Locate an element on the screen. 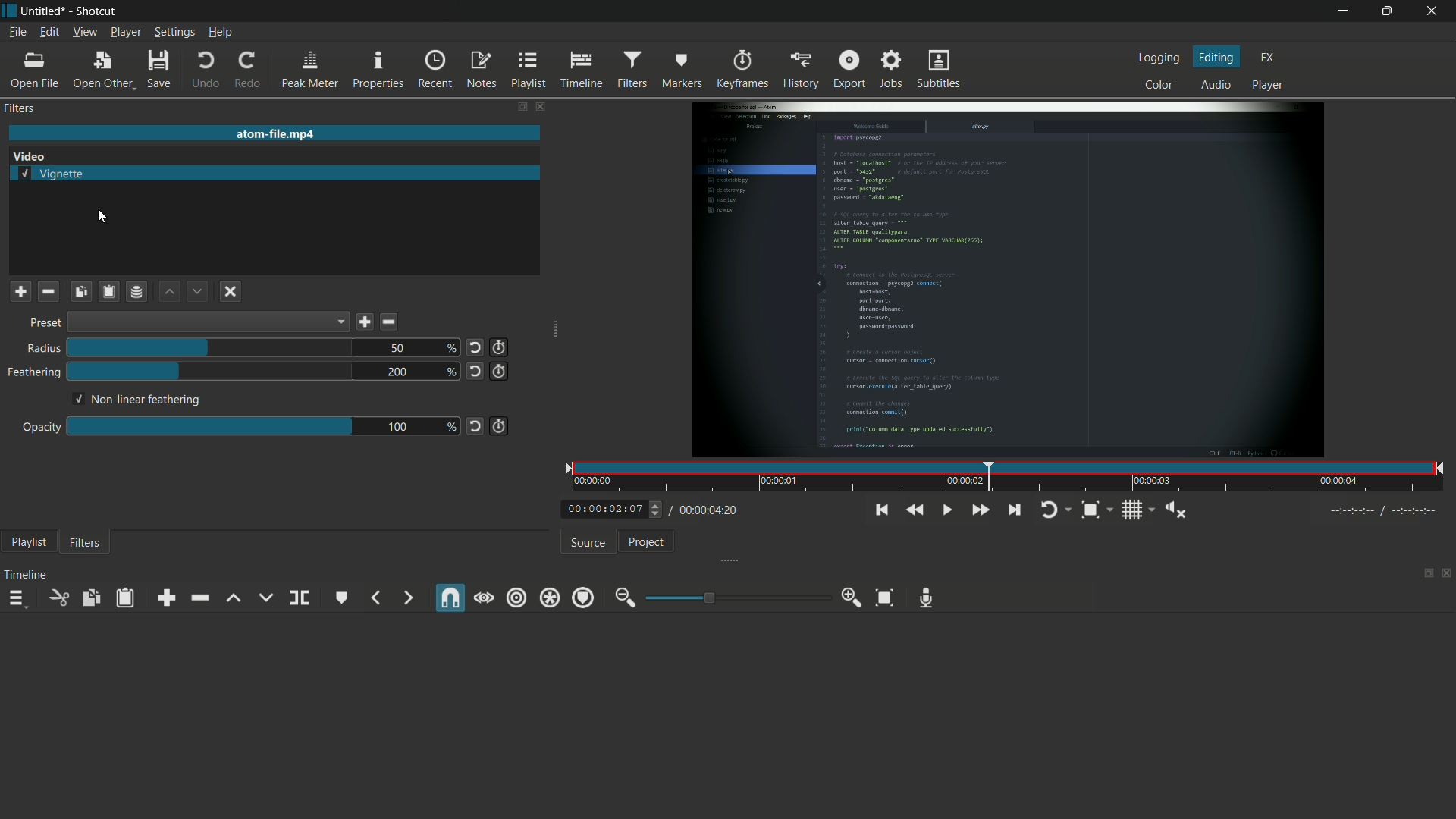 This screenshot has width=1456, height=819. skip to the next point is located at coordinates (1014, 510).